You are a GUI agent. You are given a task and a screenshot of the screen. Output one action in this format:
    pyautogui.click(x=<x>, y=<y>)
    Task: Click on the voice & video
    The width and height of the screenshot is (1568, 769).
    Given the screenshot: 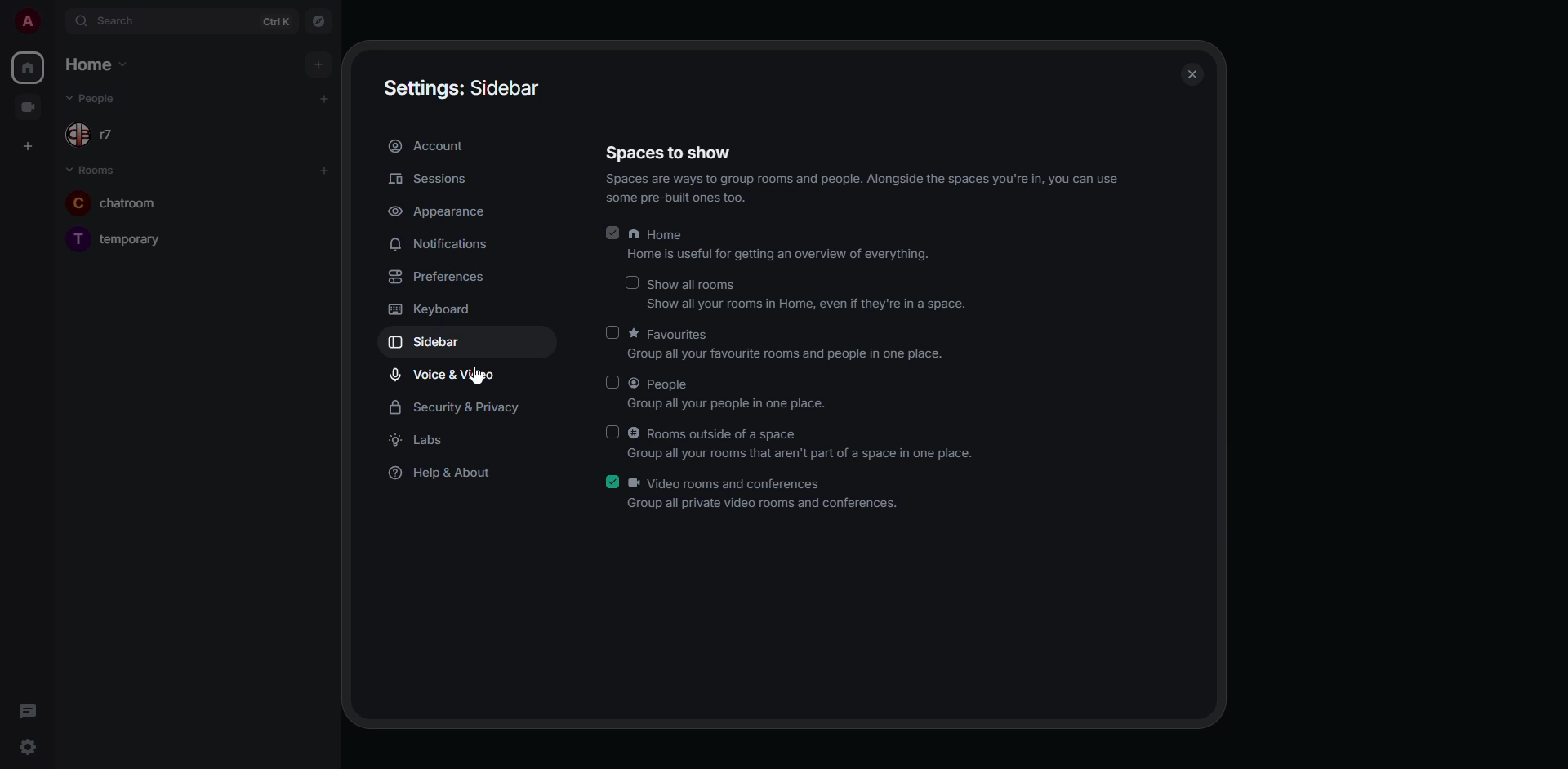 What is the action you would take?
    pyautogui.click(x=447, y=375)
    